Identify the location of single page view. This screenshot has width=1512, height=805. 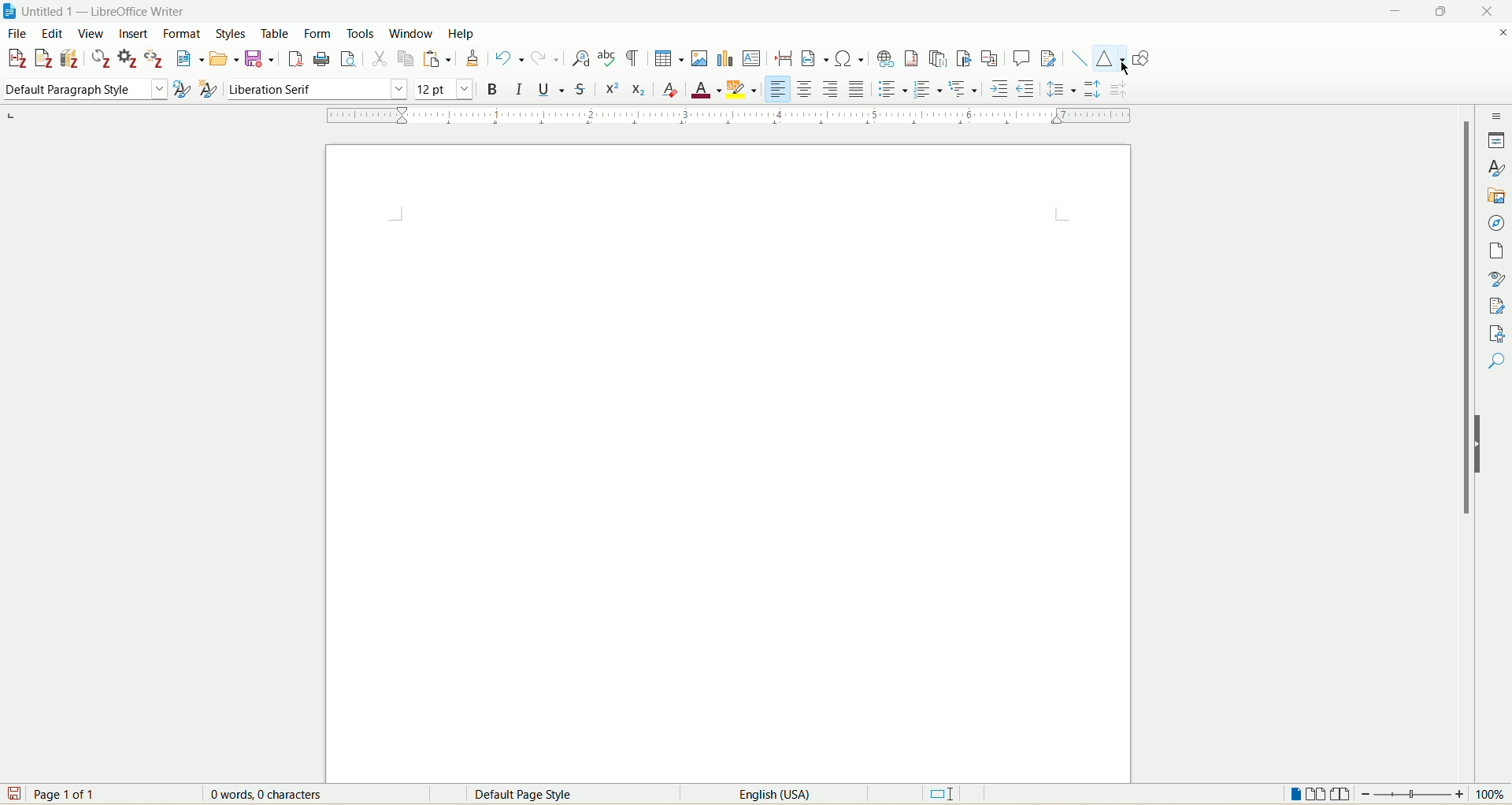
(1295, 793).